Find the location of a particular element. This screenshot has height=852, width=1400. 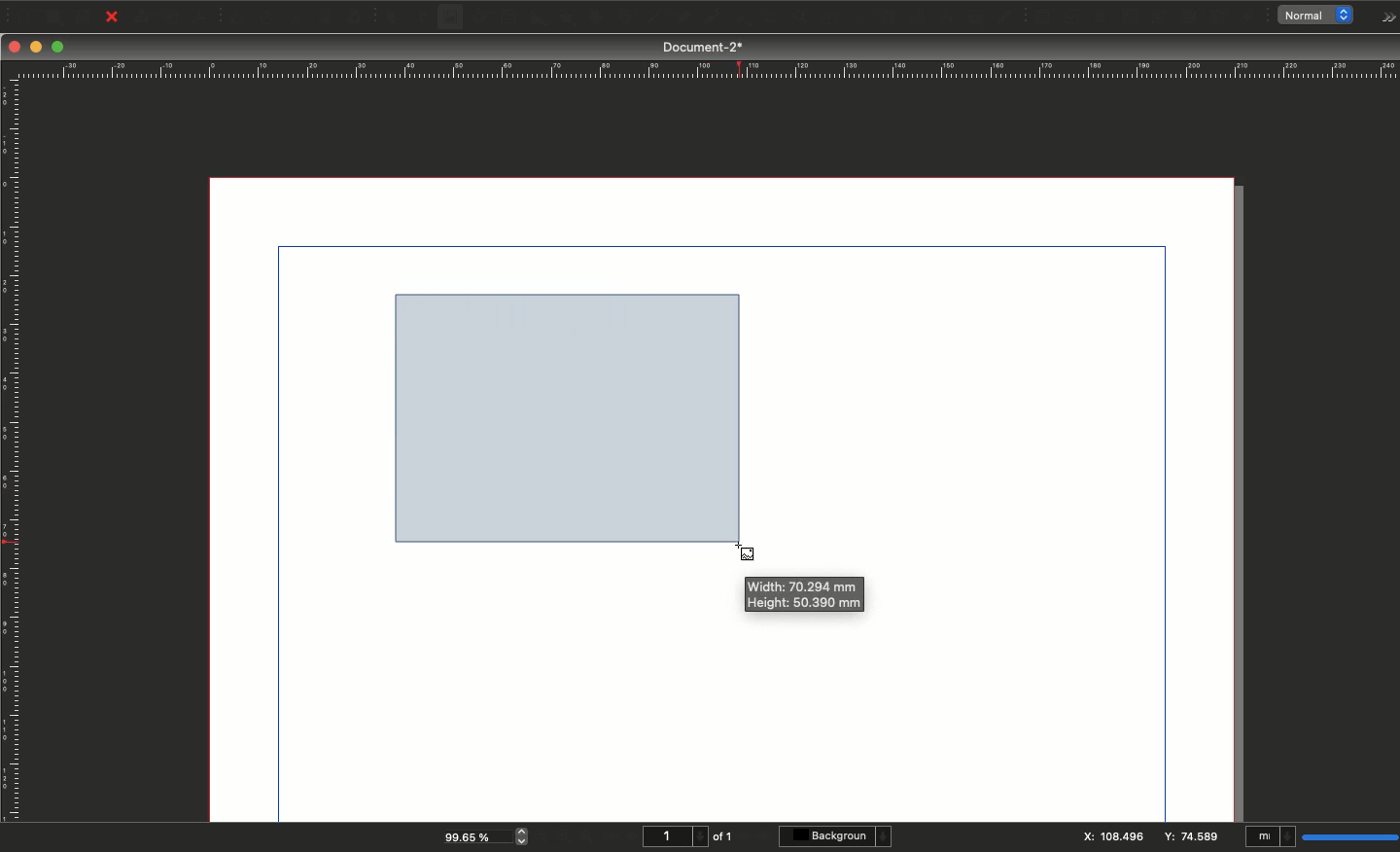

Copy is located at coordinates (327, 18).